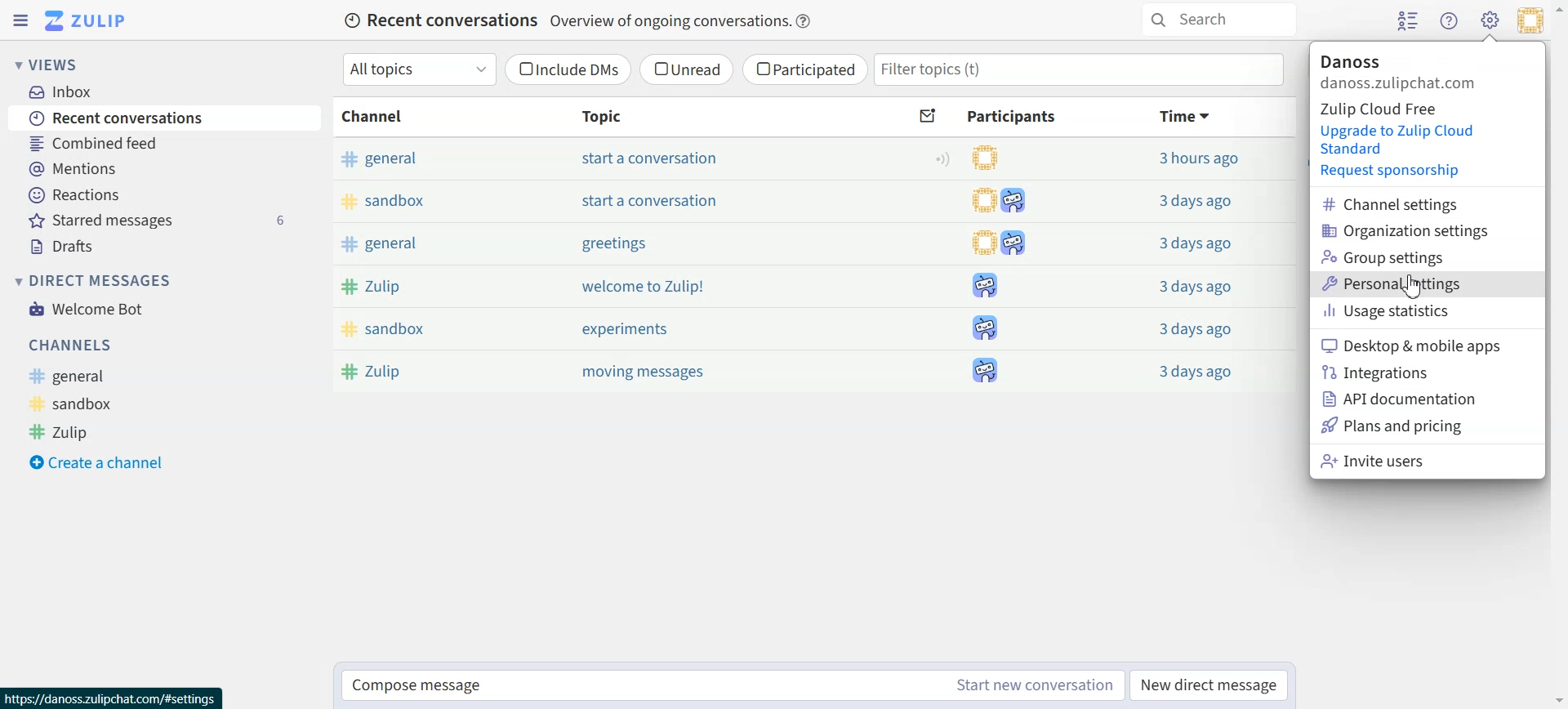 Image resolution: width=1568 pixels, height=709 pixels. What do you see at coordinates (1396, 203) in the screenshot?
I see `Channel settings` at bounding box center [1396, 203].